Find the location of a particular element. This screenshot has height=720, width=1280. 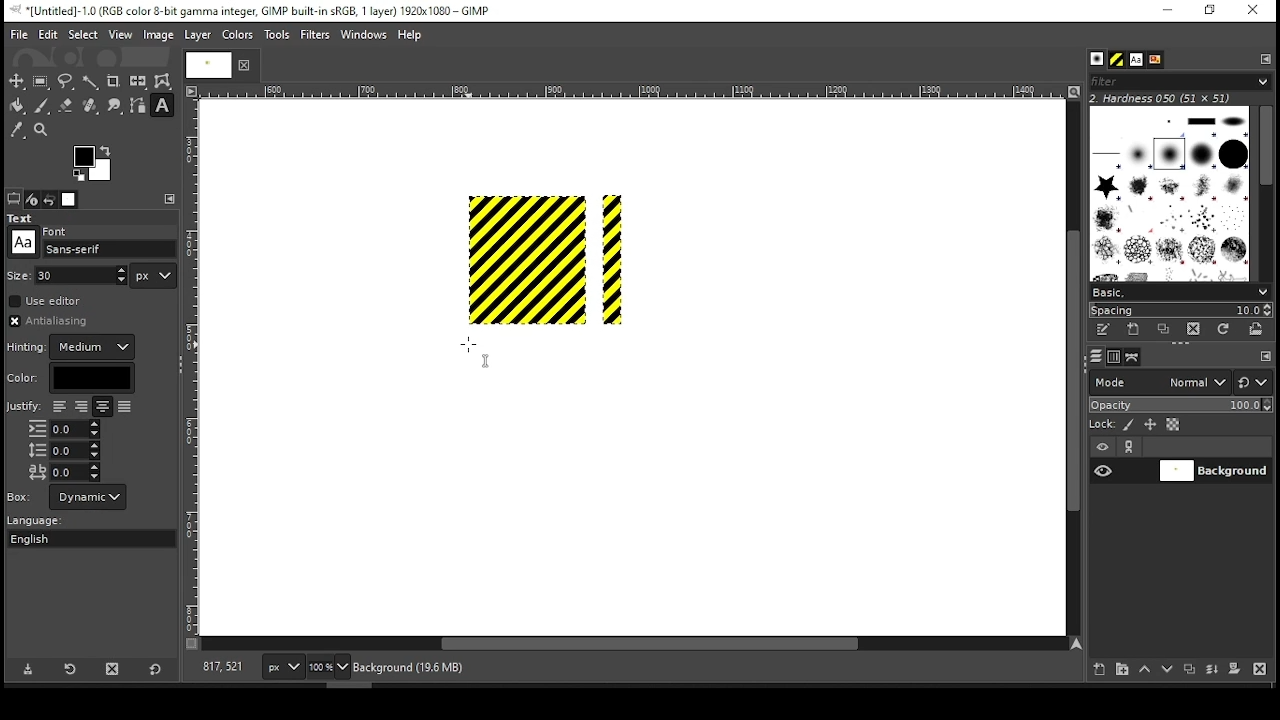

lock: is located at coordinates (1103, 426).